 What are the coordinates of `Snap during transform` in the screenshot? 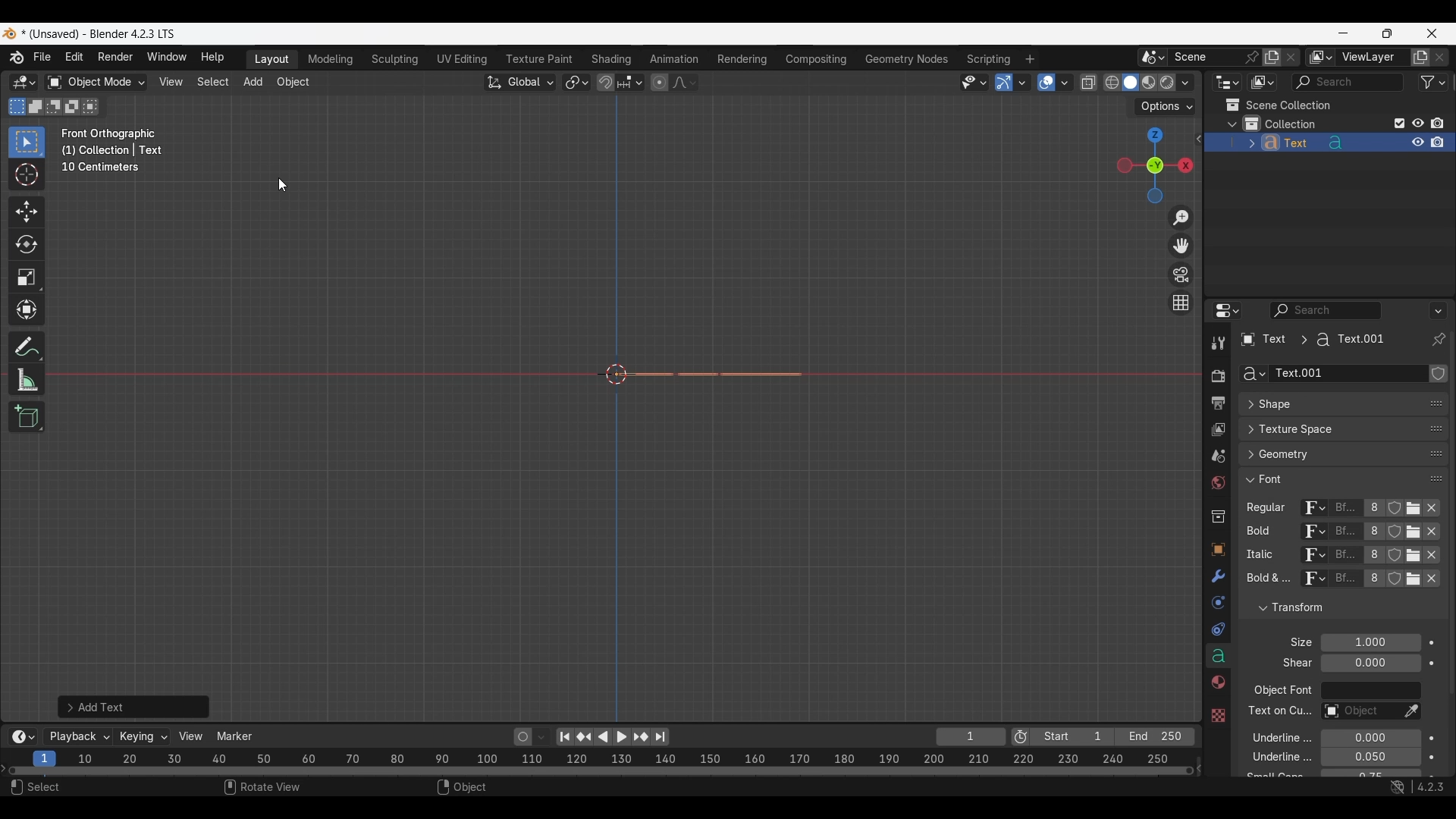 It's located at (606, 82).